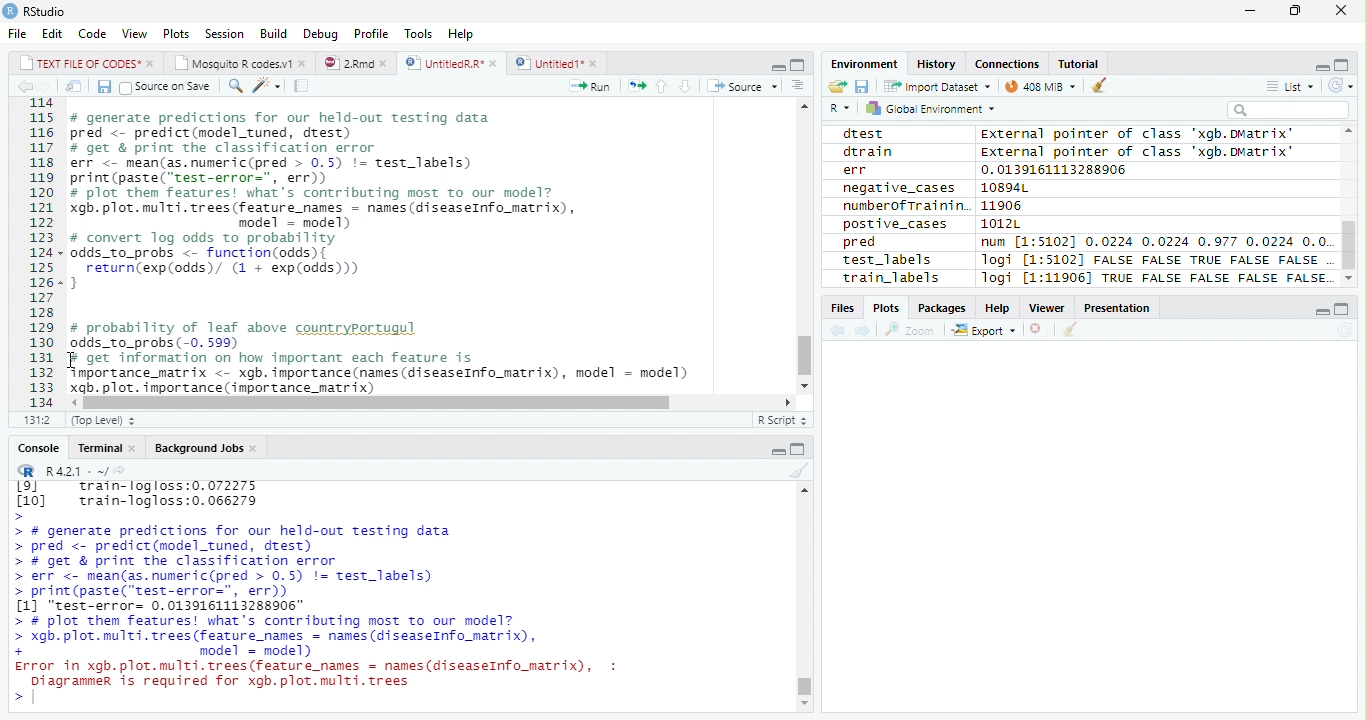  What do you see at coordinates (334, 204) in the screenshot?
I see `# generate predictions for our held-out testing data
pred <- predict(model_tuned, drest)
# get & print the classification error
err <- mean(as.numeric(pred > 0.5) != test_labels)
print (paste(“test-error=", err))
# plot them features! what's contributing most to our model?
gb. plot. multi. trees (feature_names = names (diseaseInfo_matrix),
model = model)
# convert log odds to probability
odds_to_probs <- function(odds){
return(exp(odds)/ (1 + exp(0dds)))
3` at bounding box center [334, 204].